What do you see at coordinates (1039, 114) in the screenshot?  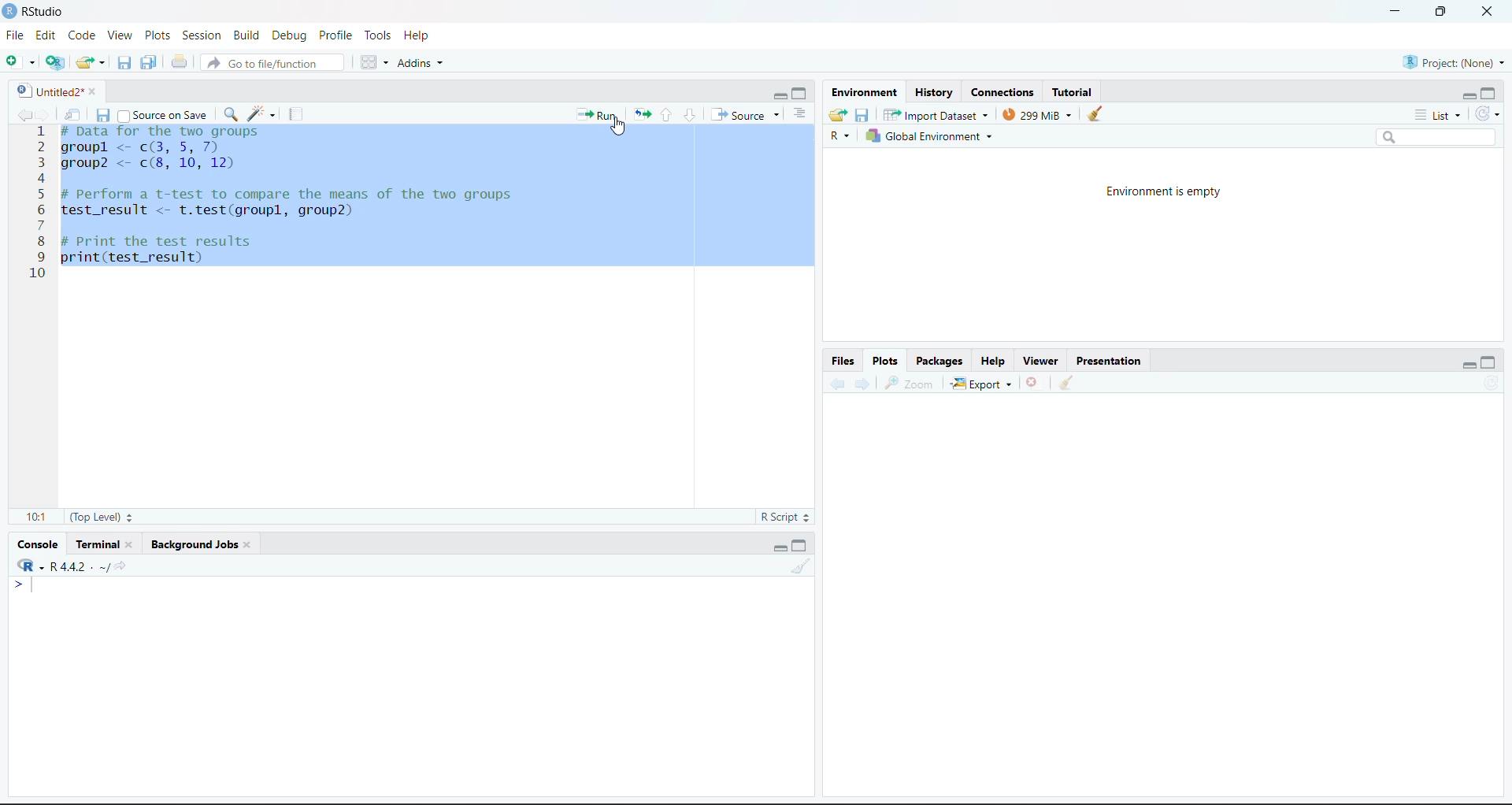 I see `299 MiB` at bounding box center [1039, 114].